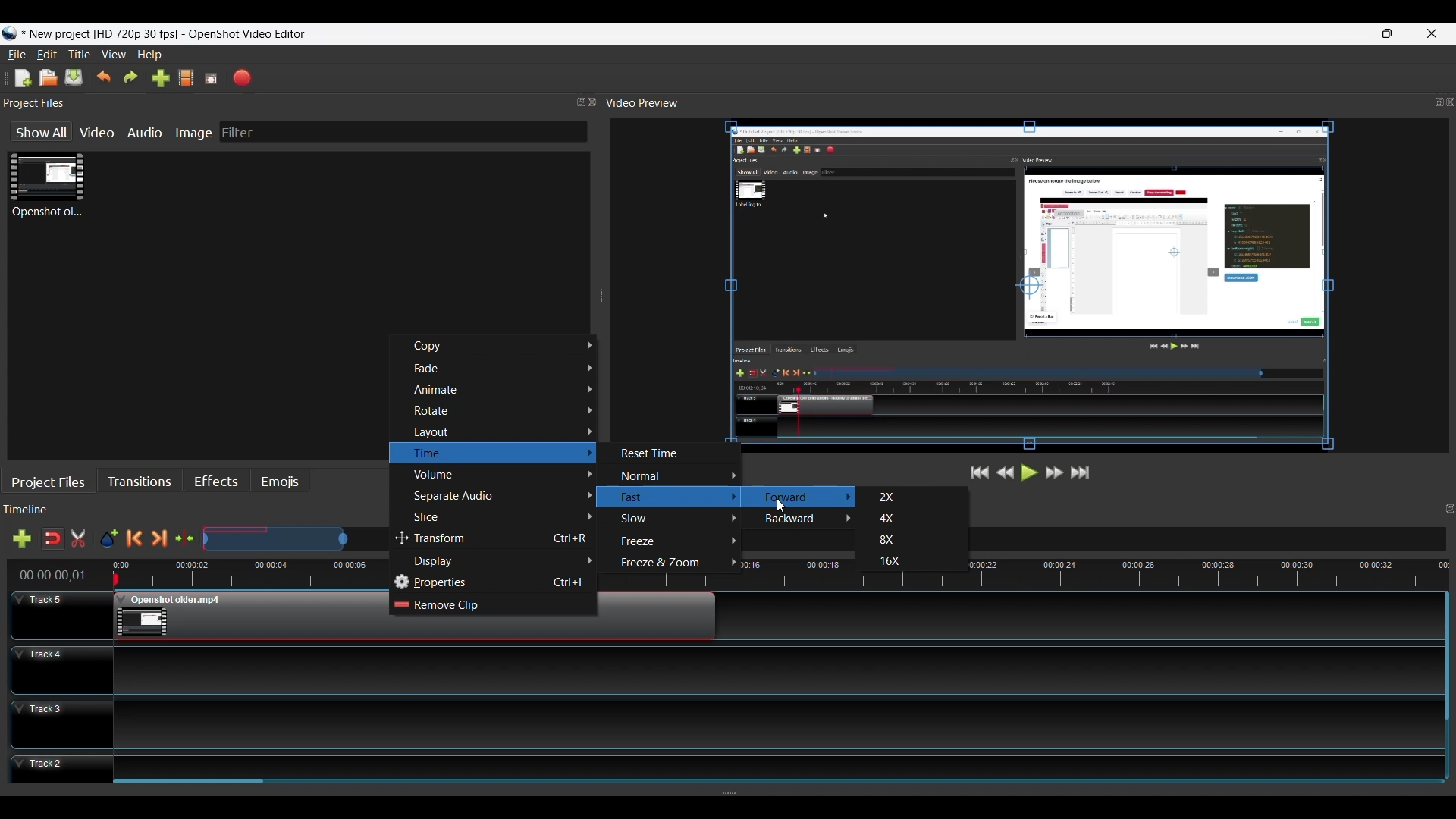 The width and height of the screenshot is (1456, 819). What do you see at coordinates (46, 188) in the screenshot?
I see `Clip` at bounding box center [46, 188].